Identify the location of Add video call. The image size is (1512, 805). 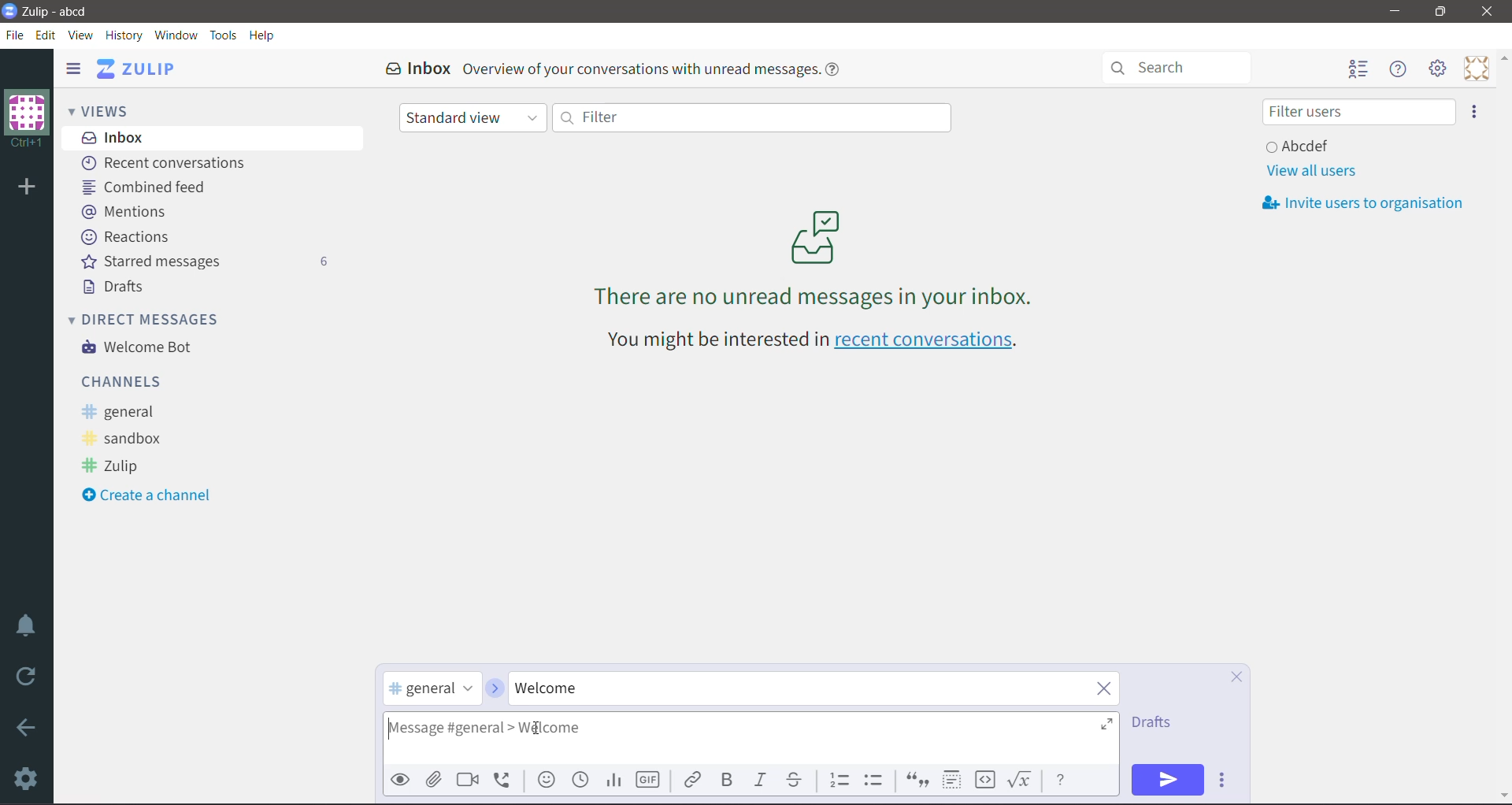
(466, 780).